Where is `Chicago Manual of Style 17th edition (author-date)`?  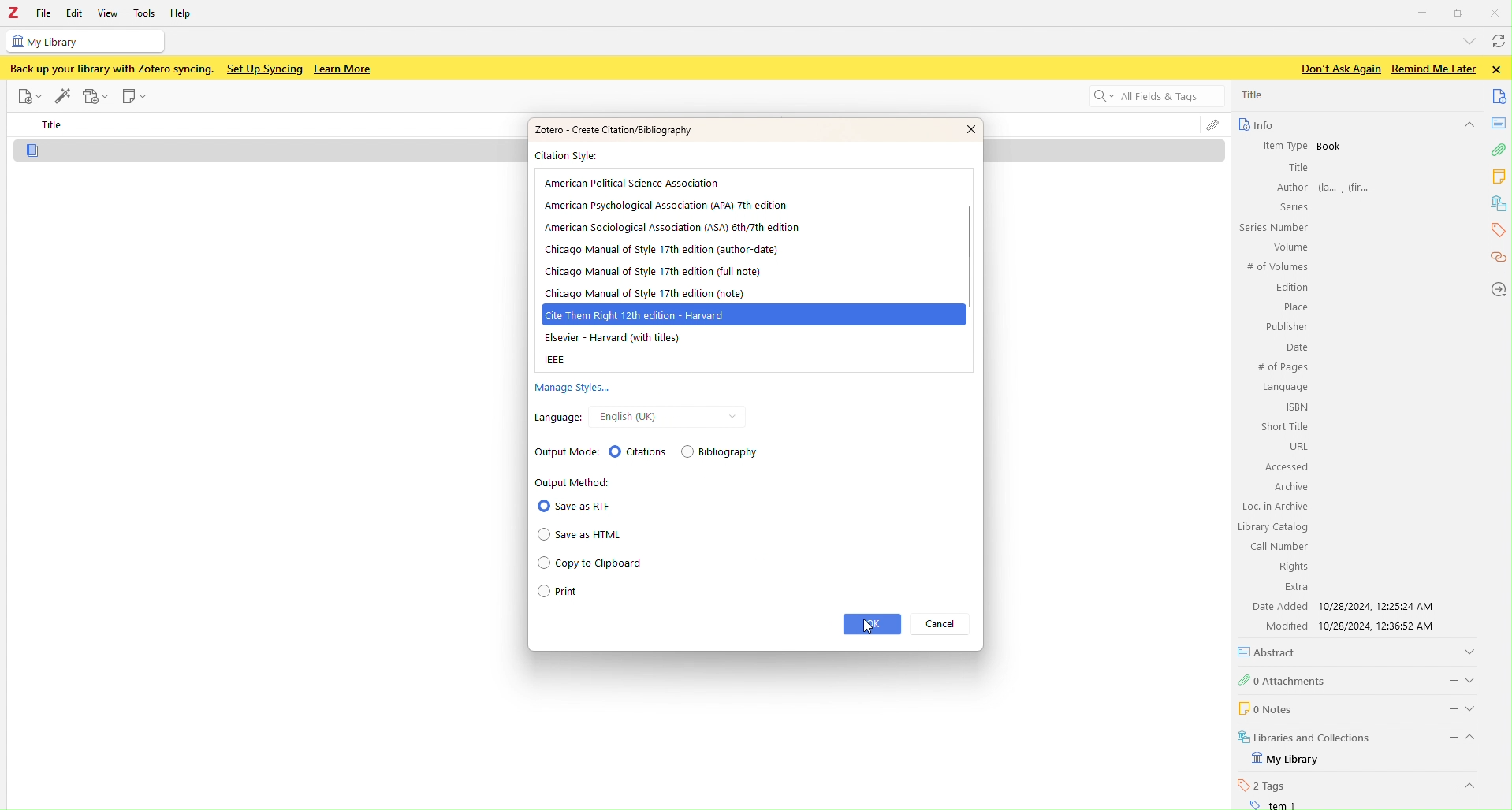
Chicago Manual of Style 17th edition (author-date) is located at coordinates (662, 250).